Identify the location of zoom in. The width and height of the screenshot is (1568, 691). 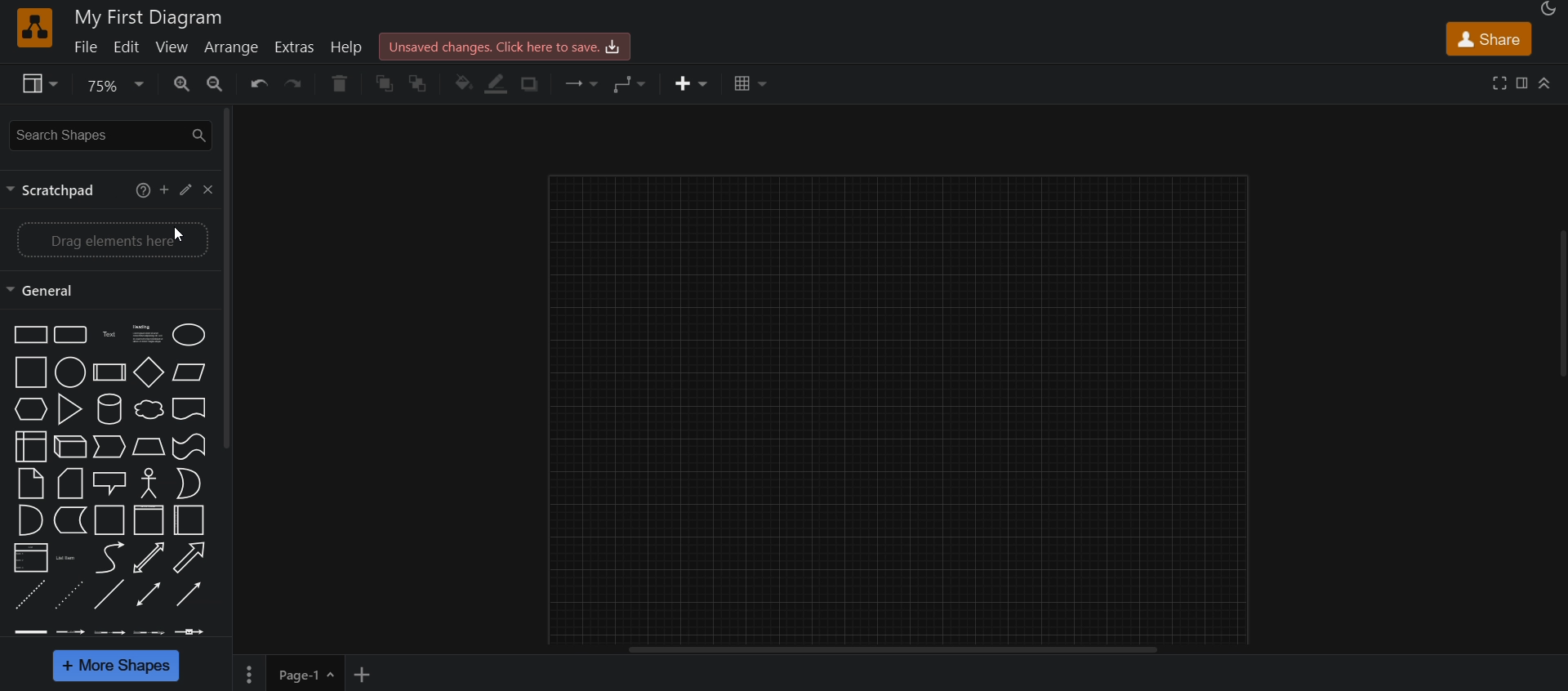
(221, 83).